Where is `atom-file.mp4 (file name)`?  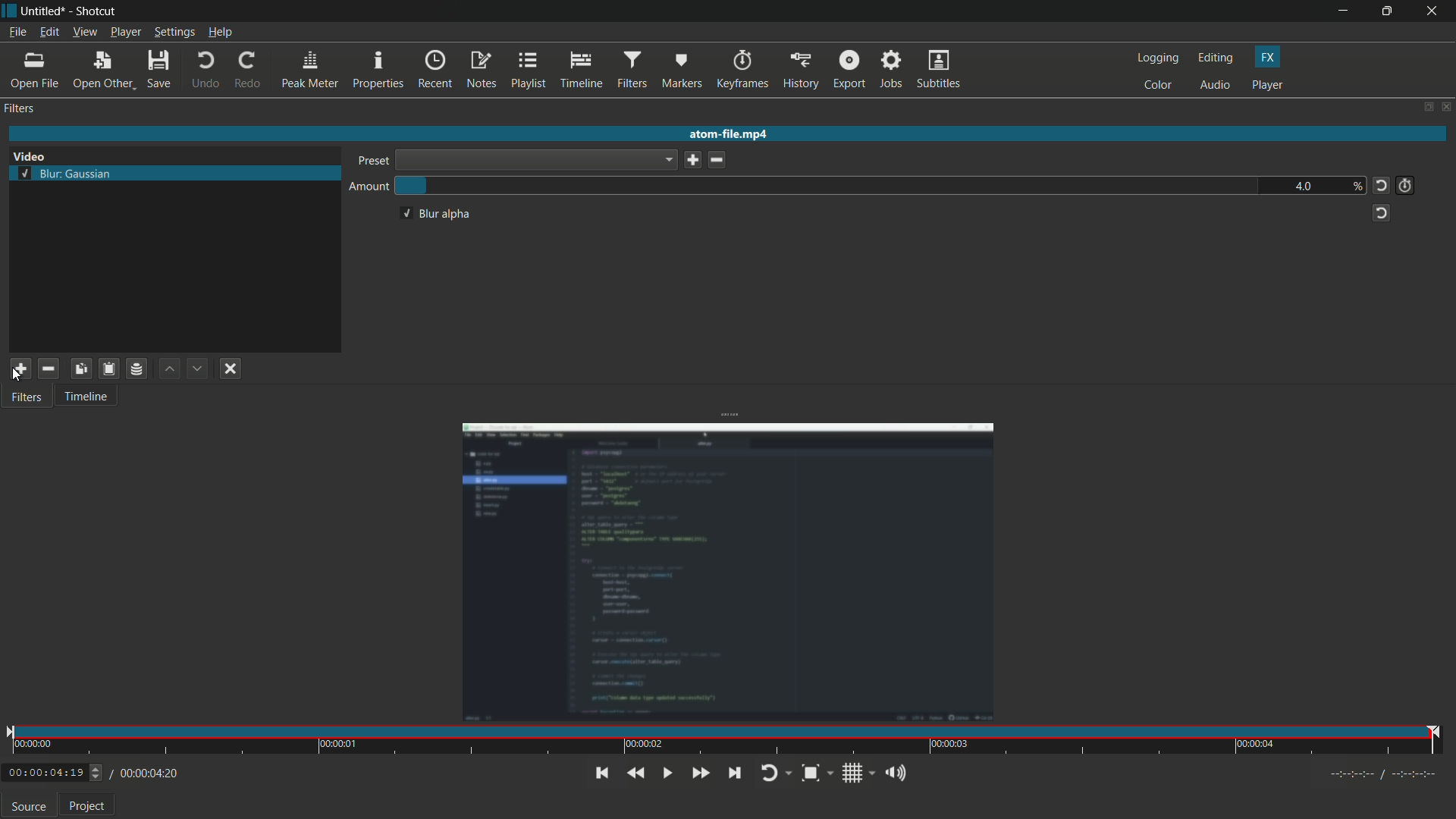
atom-file.mp4 (file name) is located at coordinates (729, 132).